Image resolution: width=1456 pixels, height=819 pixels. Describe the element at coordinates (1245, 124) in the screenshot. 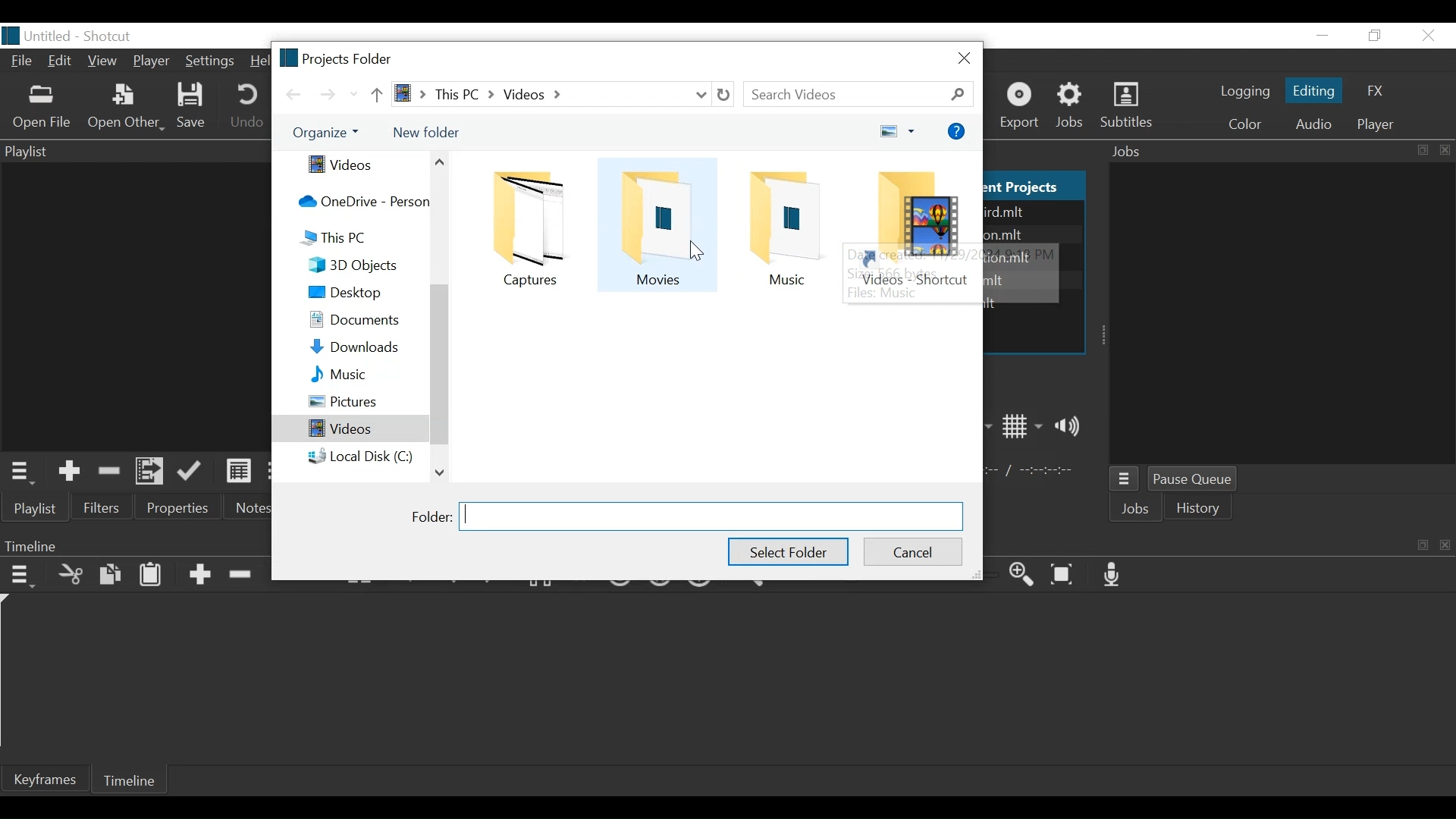

I see `Color` at that location.